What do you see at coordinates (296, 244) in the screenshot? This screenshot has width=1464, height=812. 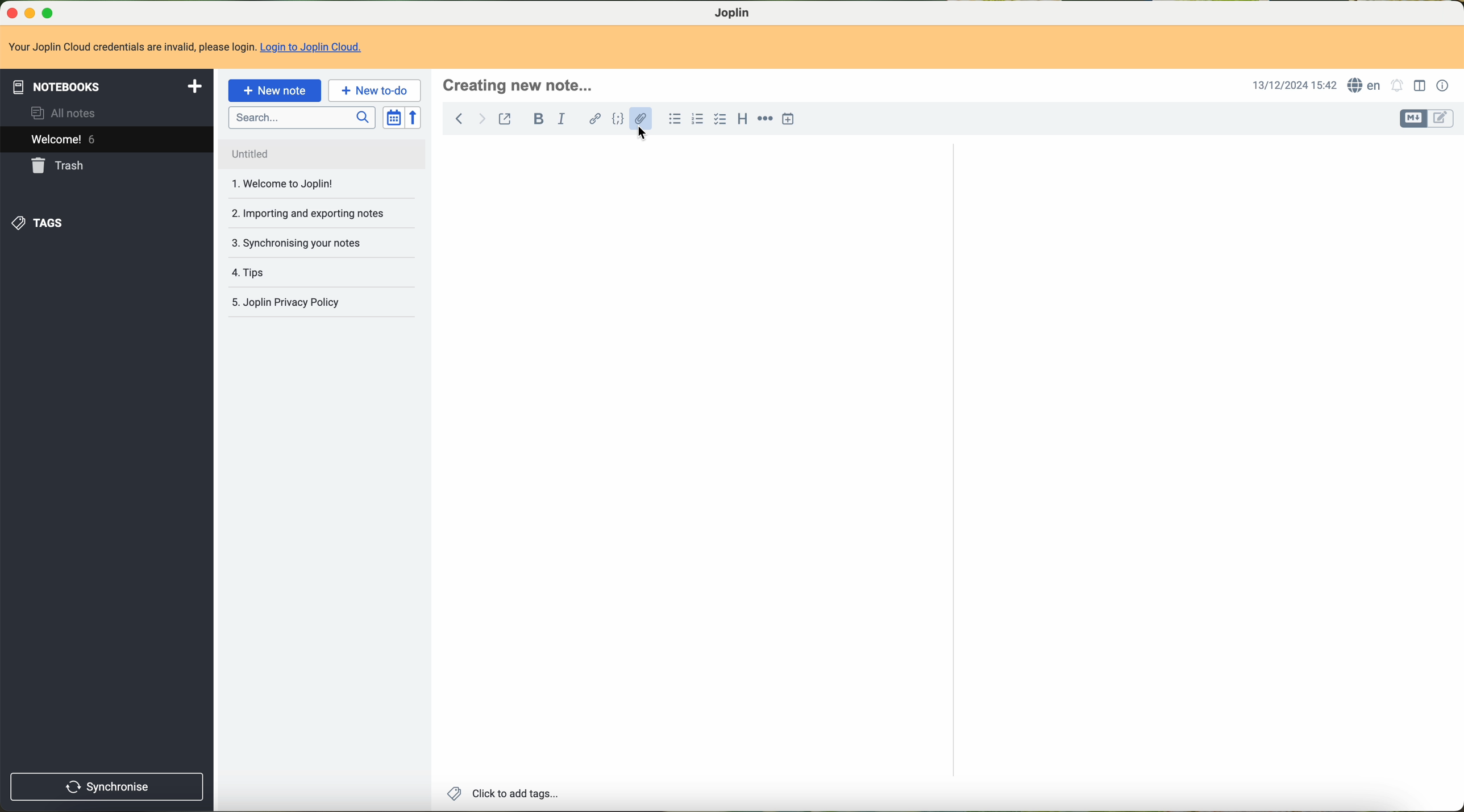 I see `synchronising your notes` at bounding box center [296, 244].